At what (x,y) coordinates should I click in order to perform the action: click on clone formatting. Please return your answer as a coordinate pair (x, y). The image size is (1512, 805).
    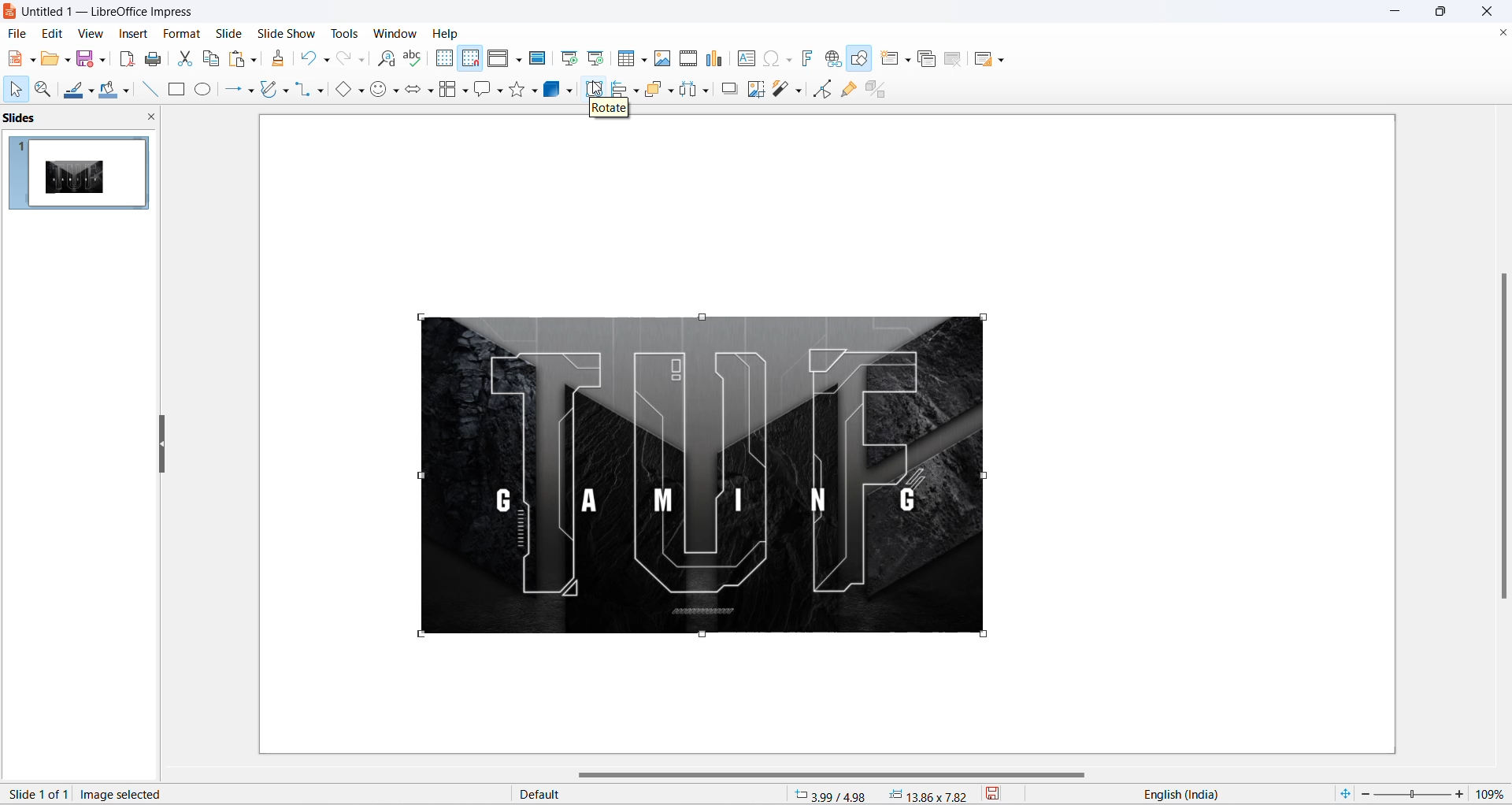
    Looking at the image, I should click on (282, 60).